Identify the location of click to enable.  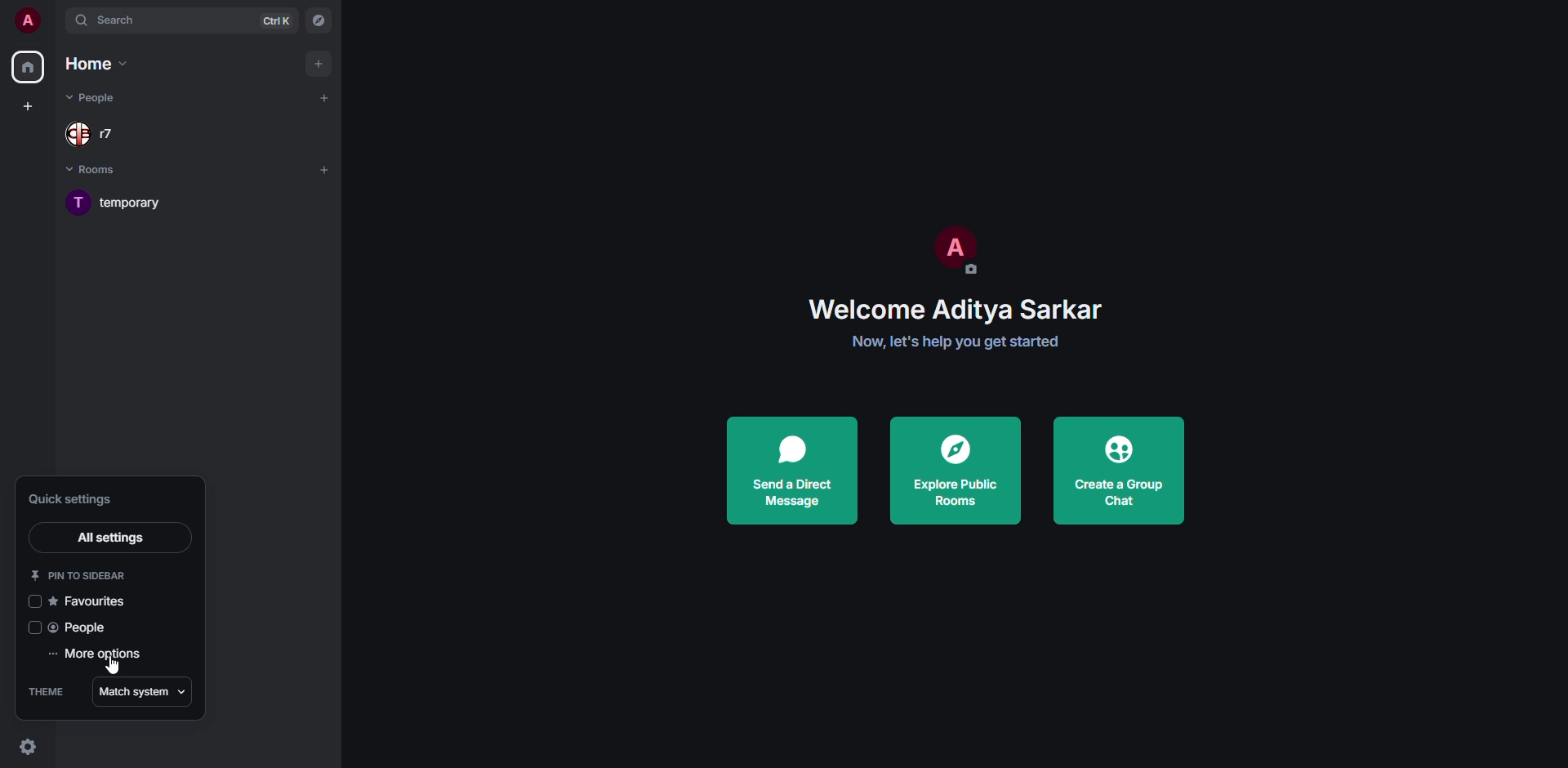
(34, 630).